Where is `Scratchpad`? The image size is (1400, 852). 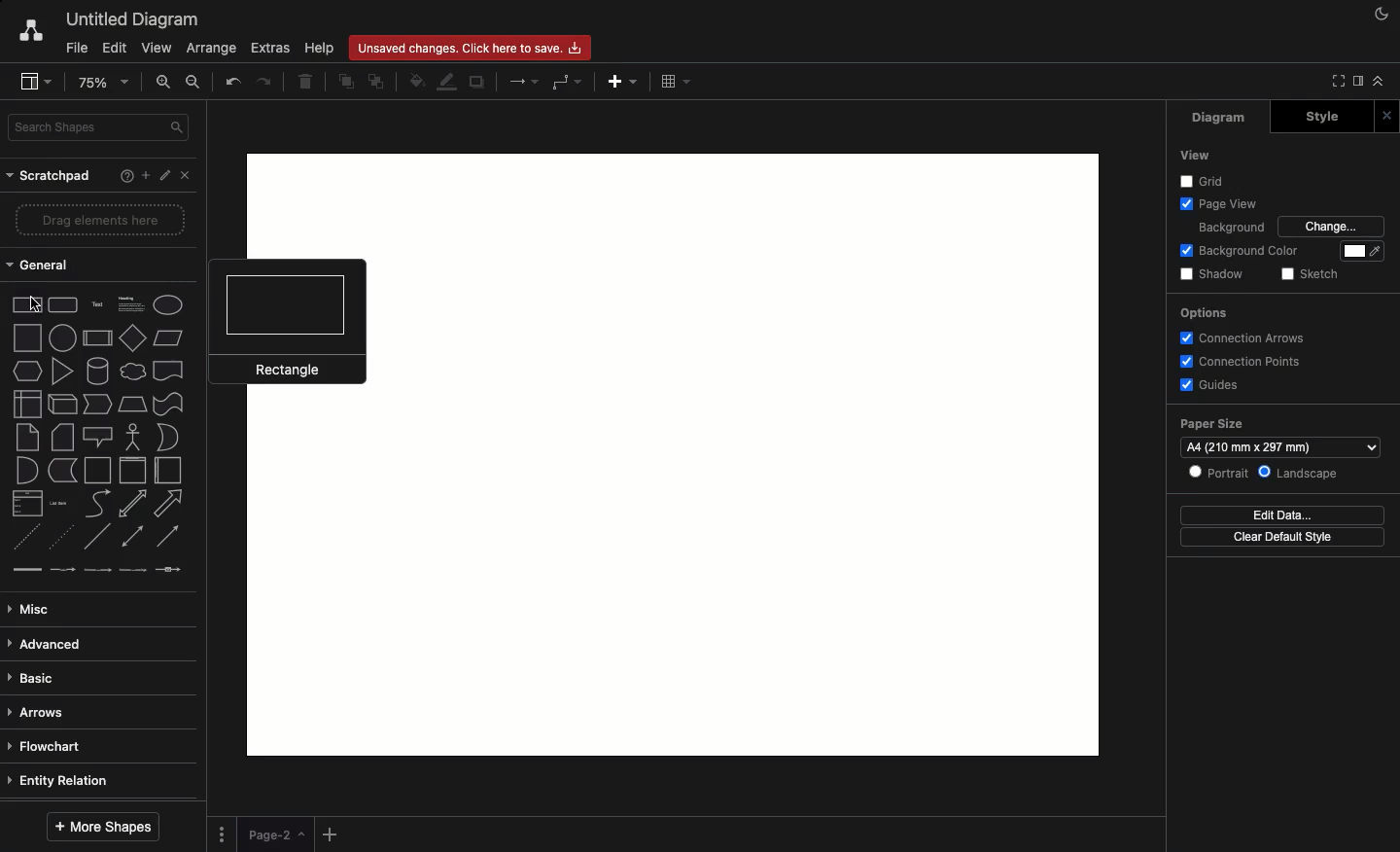 Scratchpad is located at coordinates (48, 179).